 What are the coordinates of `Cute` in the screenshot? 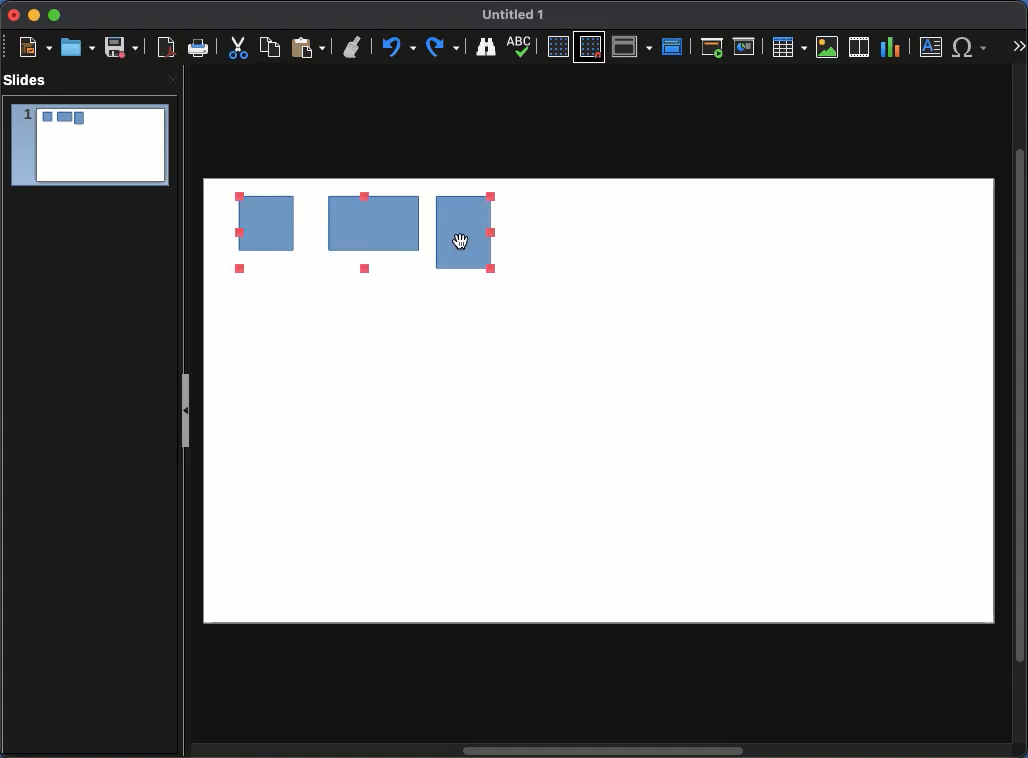 It's located at (240, 50).